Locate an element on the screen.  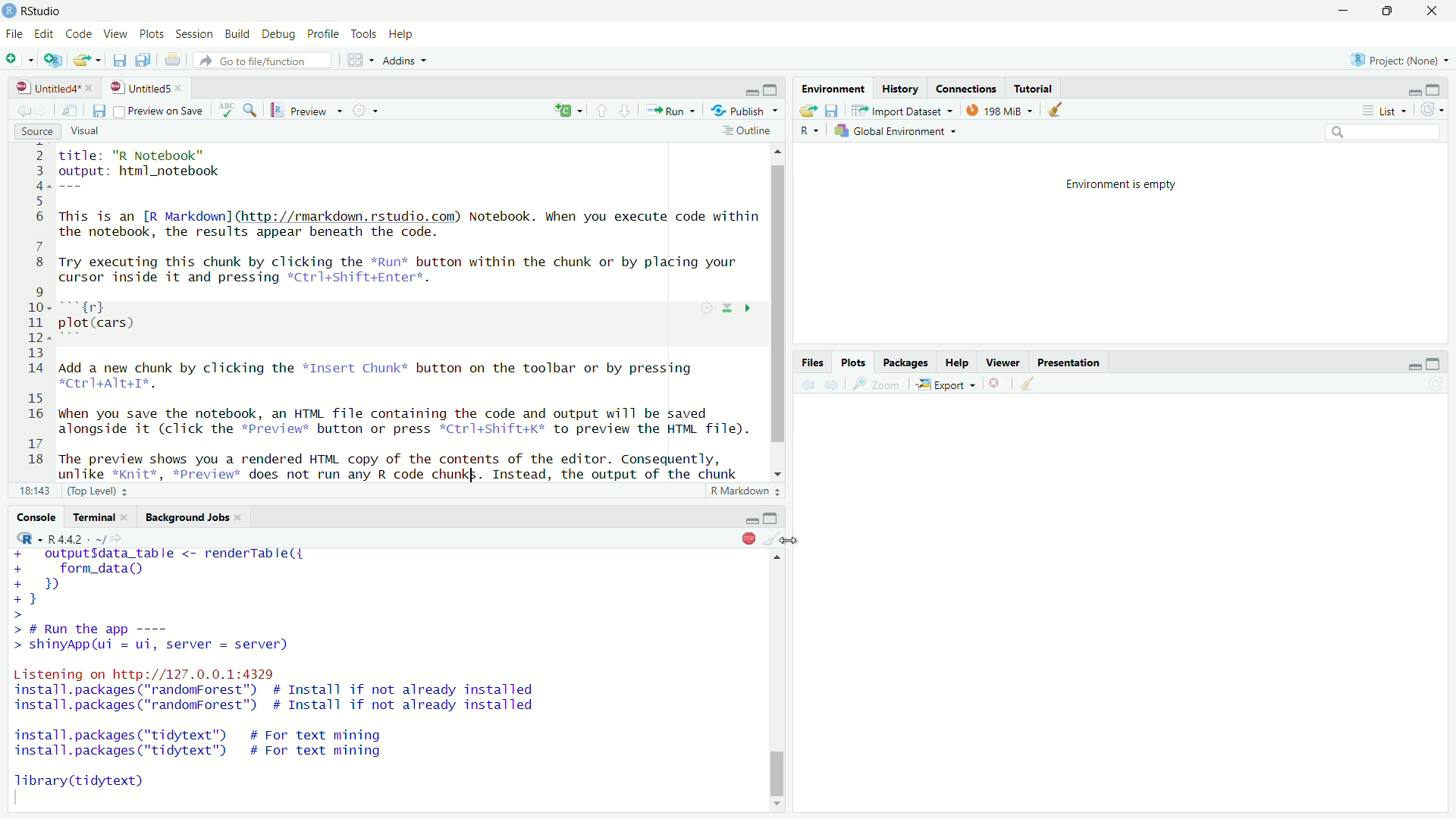
Run is located at coordinates (670, 110).